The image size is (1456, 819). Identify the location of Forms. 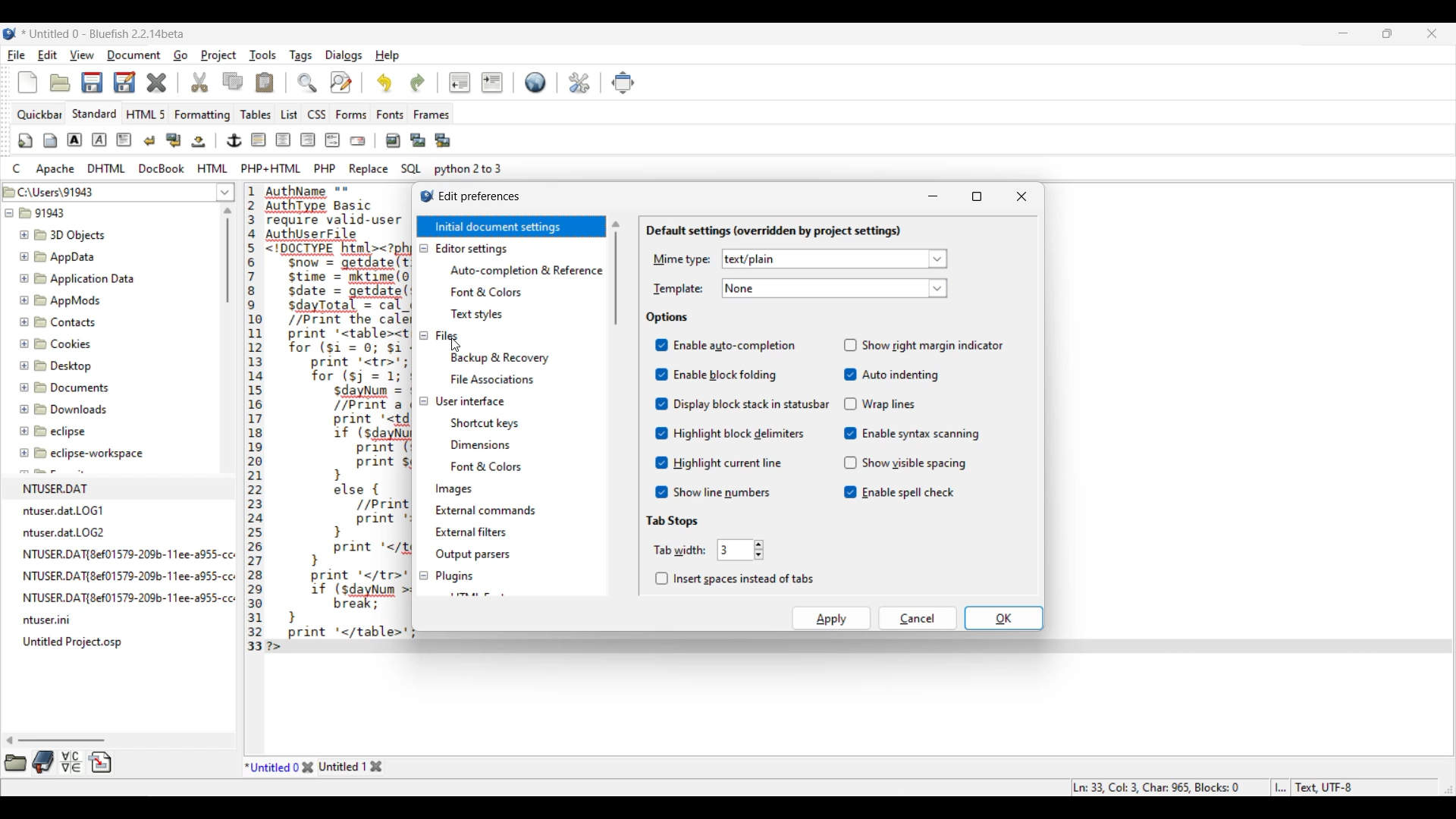
(352, 115).